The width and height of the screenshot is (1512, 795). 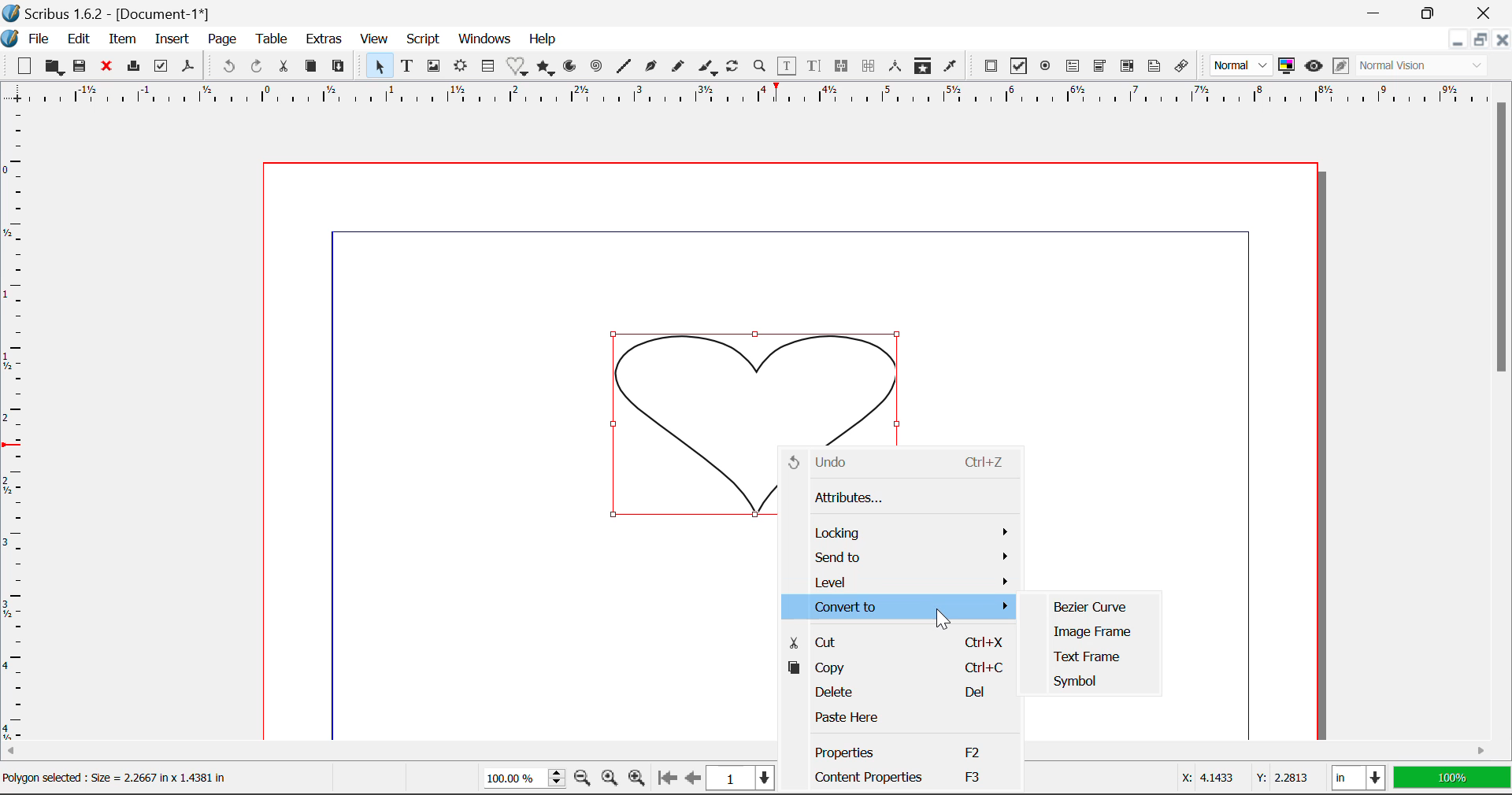 What do you see at coordinates (1182, 67) in the screenshot?
I see `Link Annotation` at bounding box center [1182, 67].